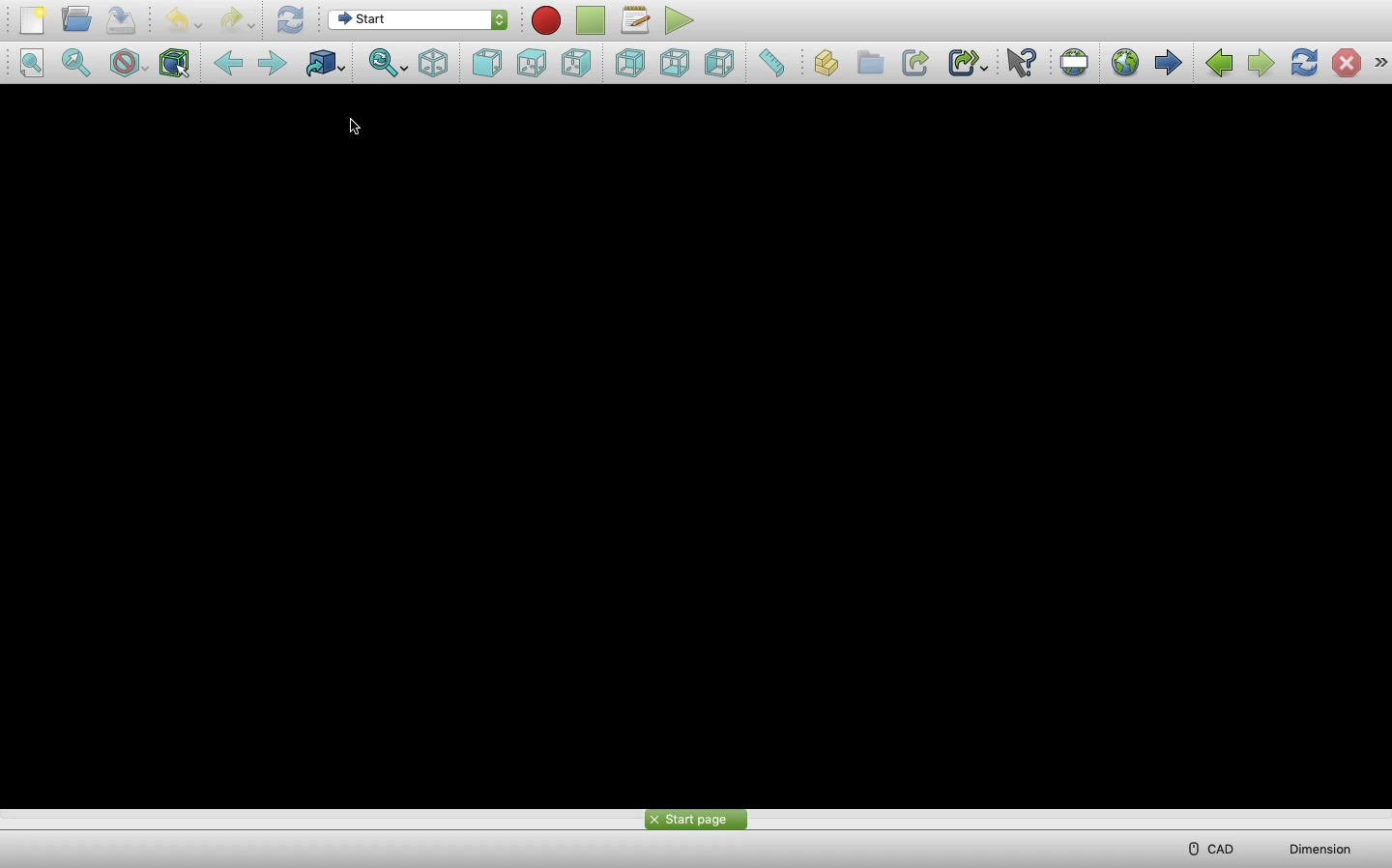  Describe the element at coordinates (235, 21) in the screenshot. I see `Redo` at that location.